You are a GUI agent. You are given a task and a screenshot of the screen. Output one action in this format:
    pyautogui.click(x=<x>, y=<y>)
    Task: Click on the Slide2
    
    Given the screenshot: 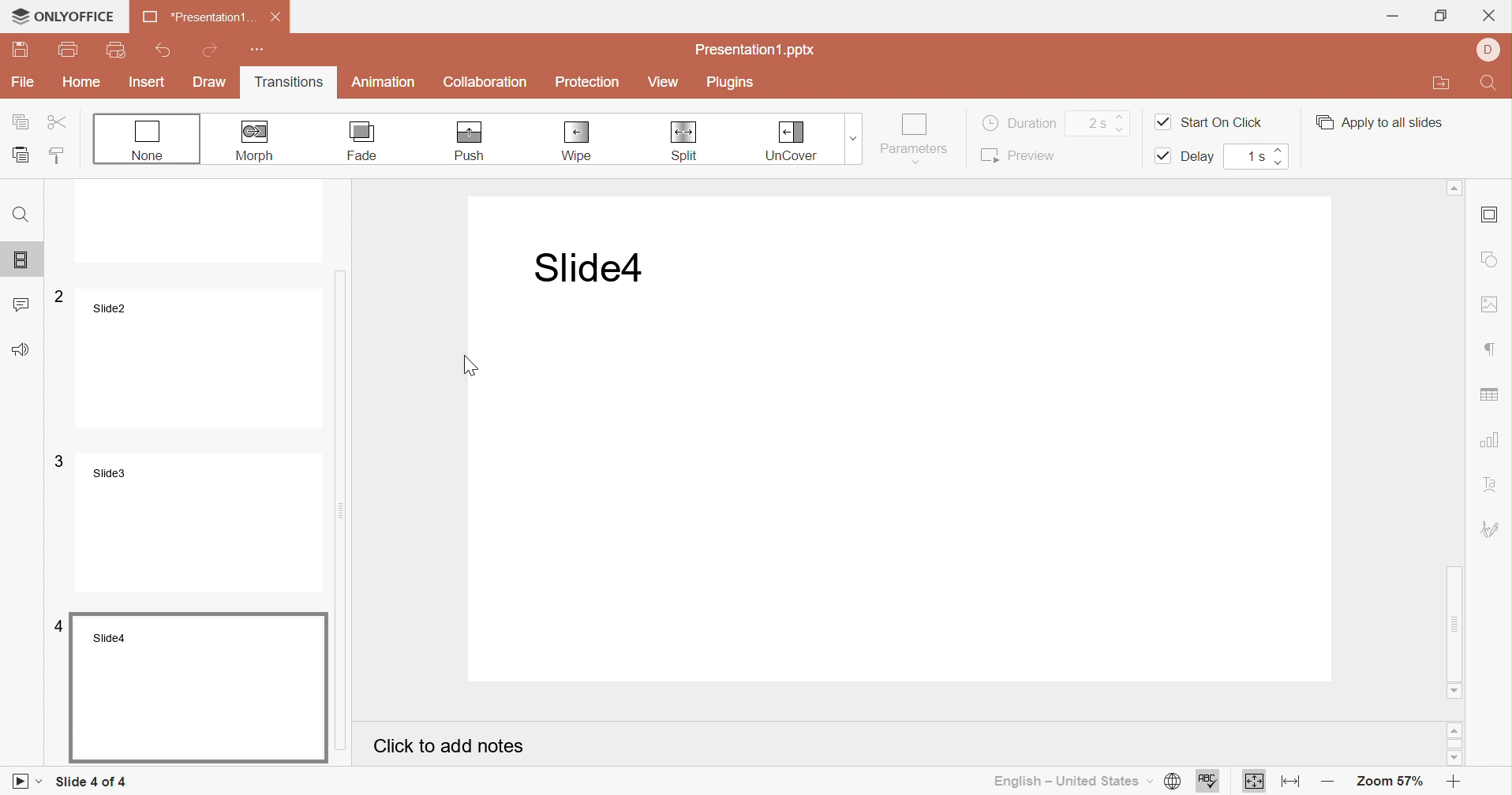 What is the action you would take?
    pyautogui.click(x=192, y=356)
    